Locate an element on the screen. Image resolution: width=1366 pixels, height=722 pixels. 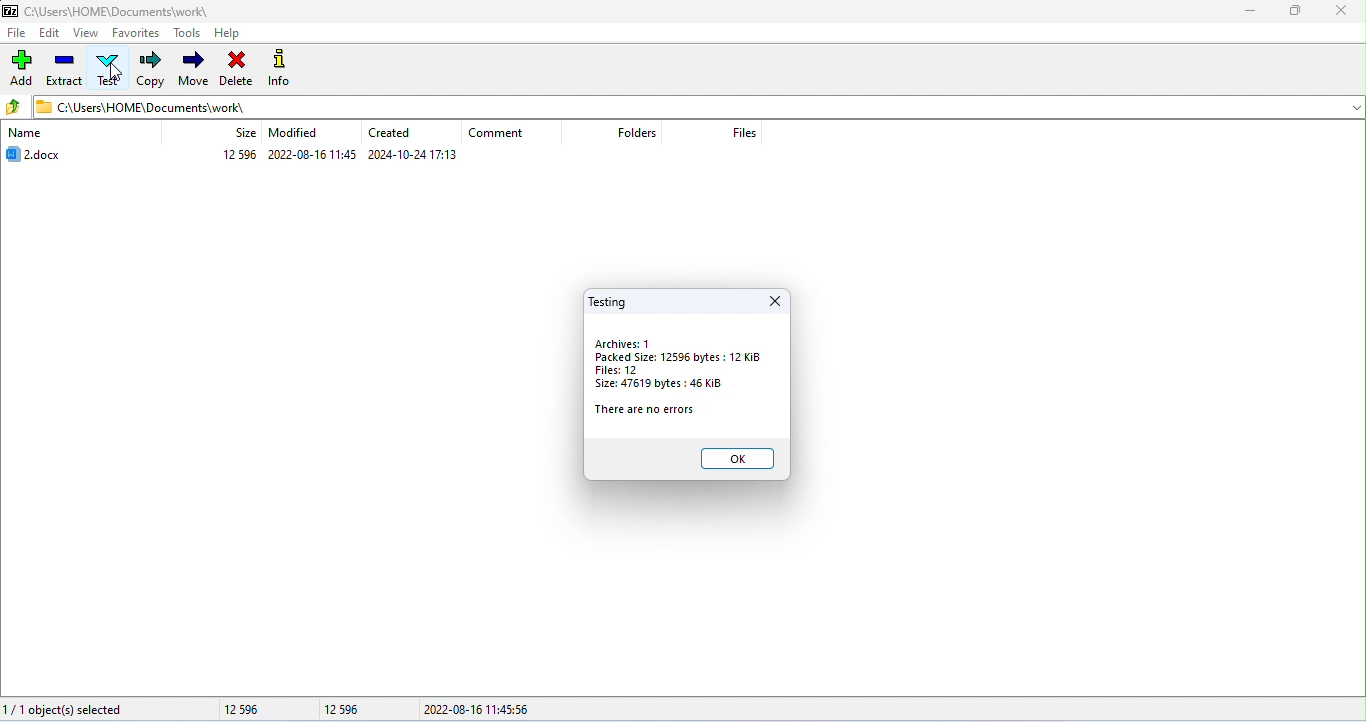
move is located at coordinates (192, 67).